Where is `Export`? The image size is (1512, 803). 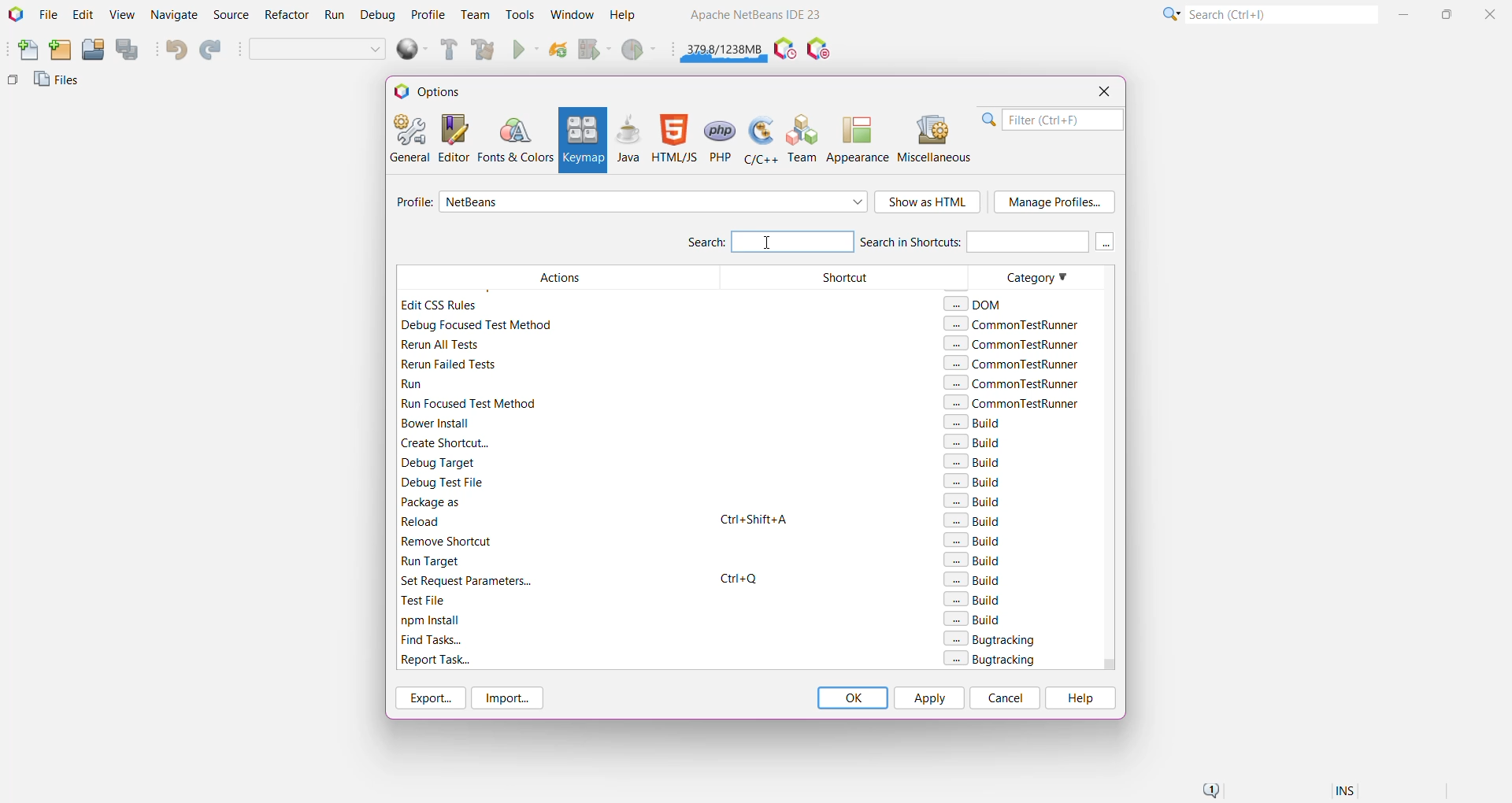
Export is located at coordinates (428, 698).